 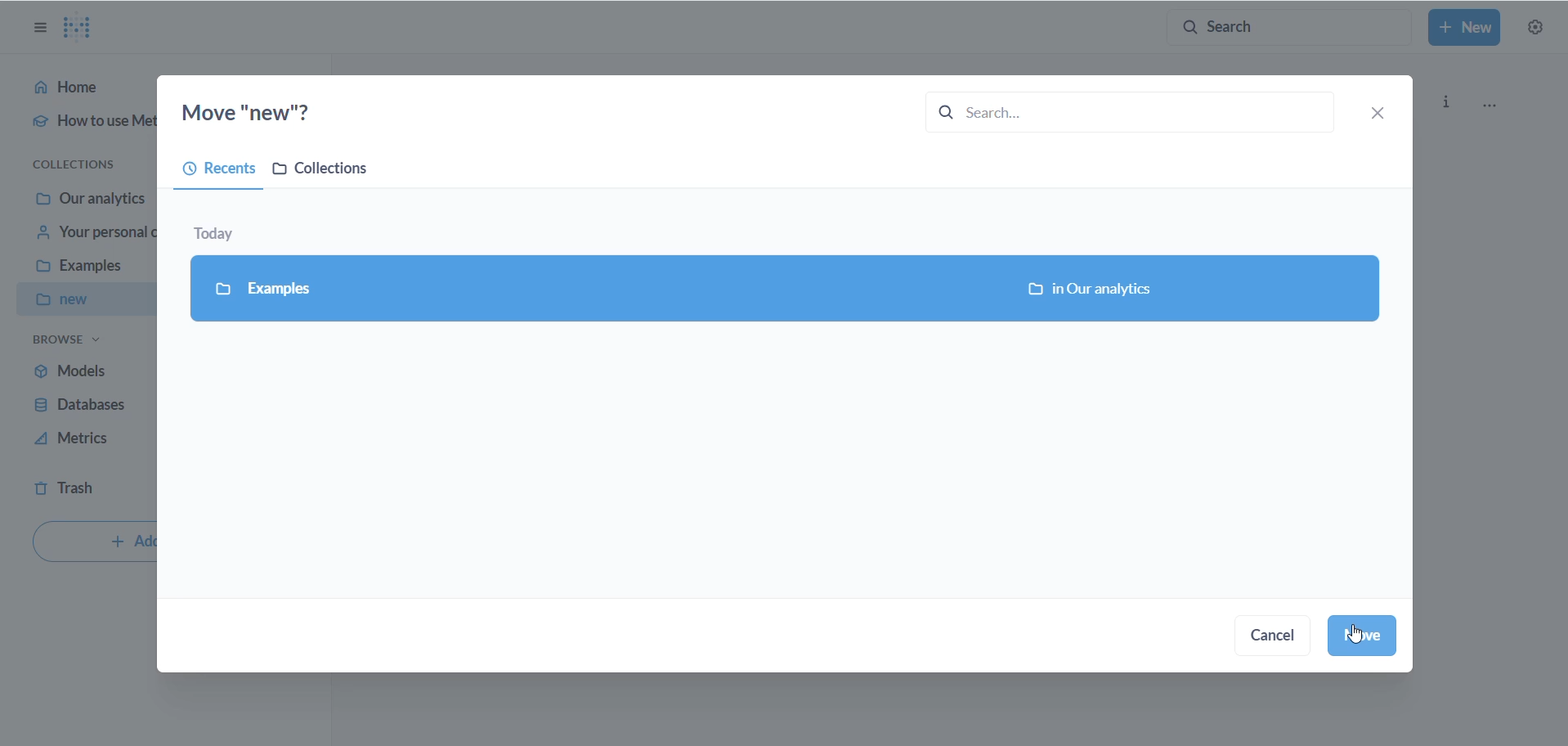 I want to click on our analytics , so click(x=92, y=199).